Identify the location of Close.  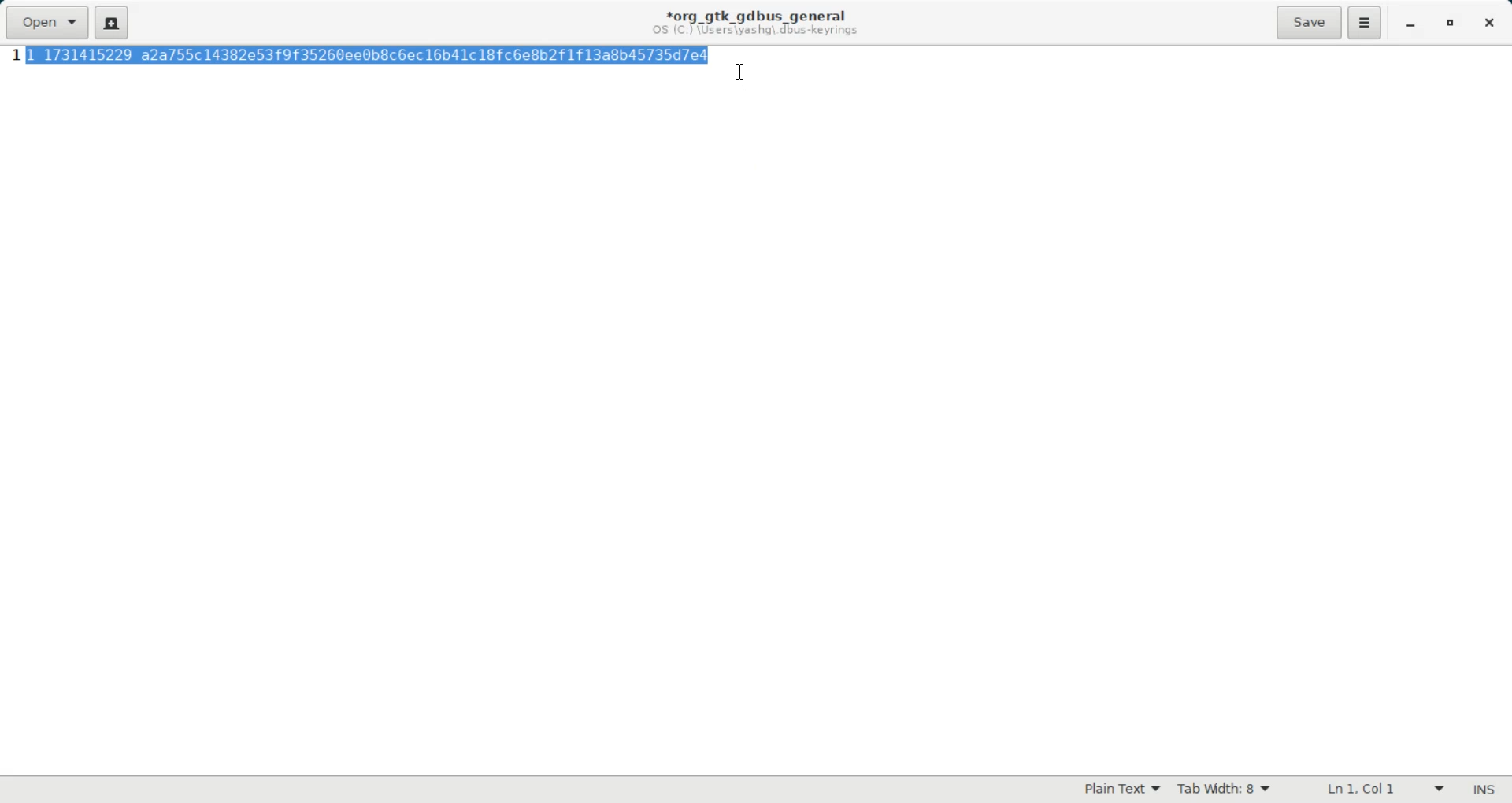
(1488, 24).